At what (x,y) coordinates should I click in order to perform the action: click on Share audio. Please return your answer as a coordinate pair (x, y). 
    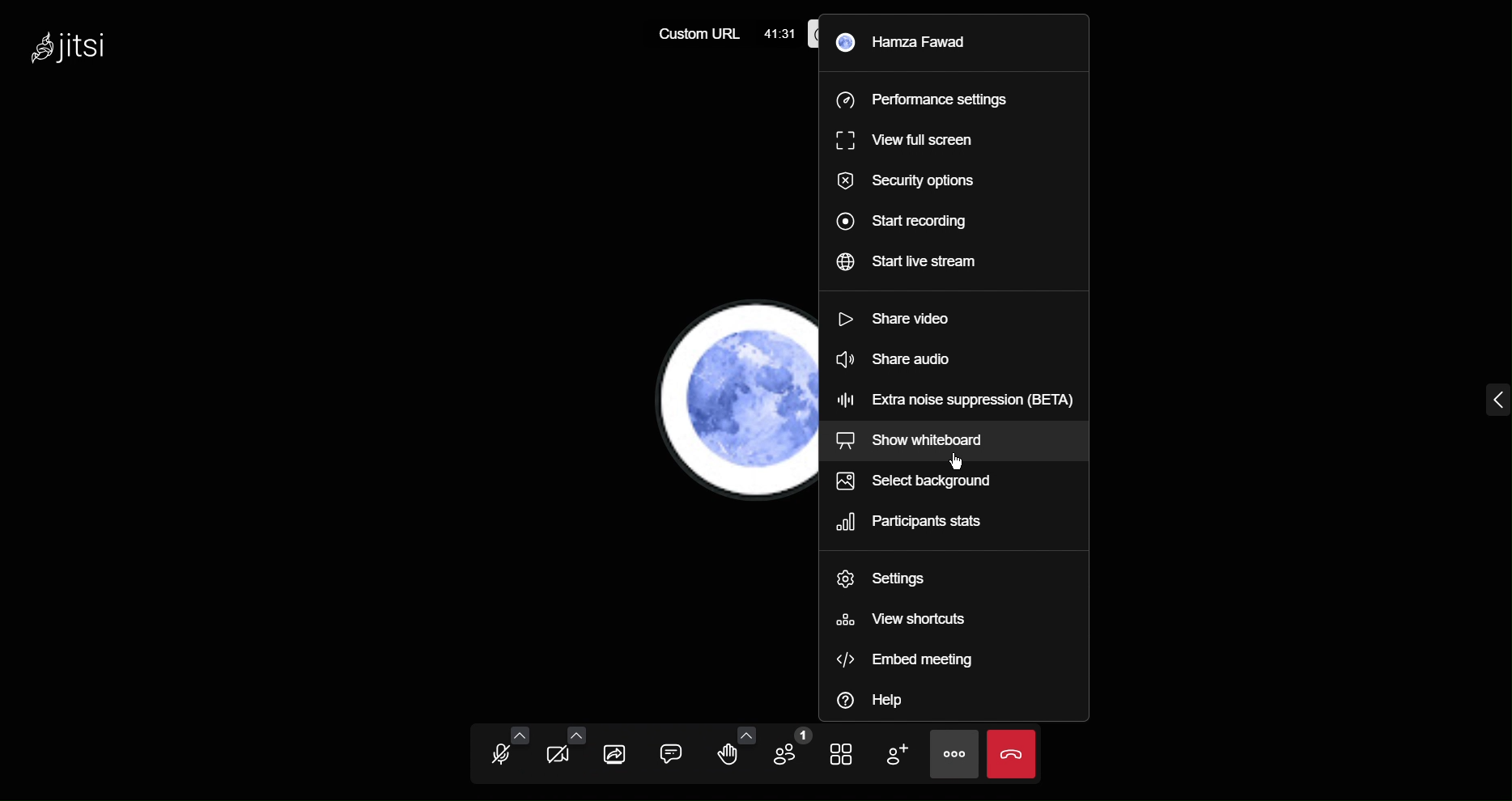
    Looking at the image, I should click on (900, 361).